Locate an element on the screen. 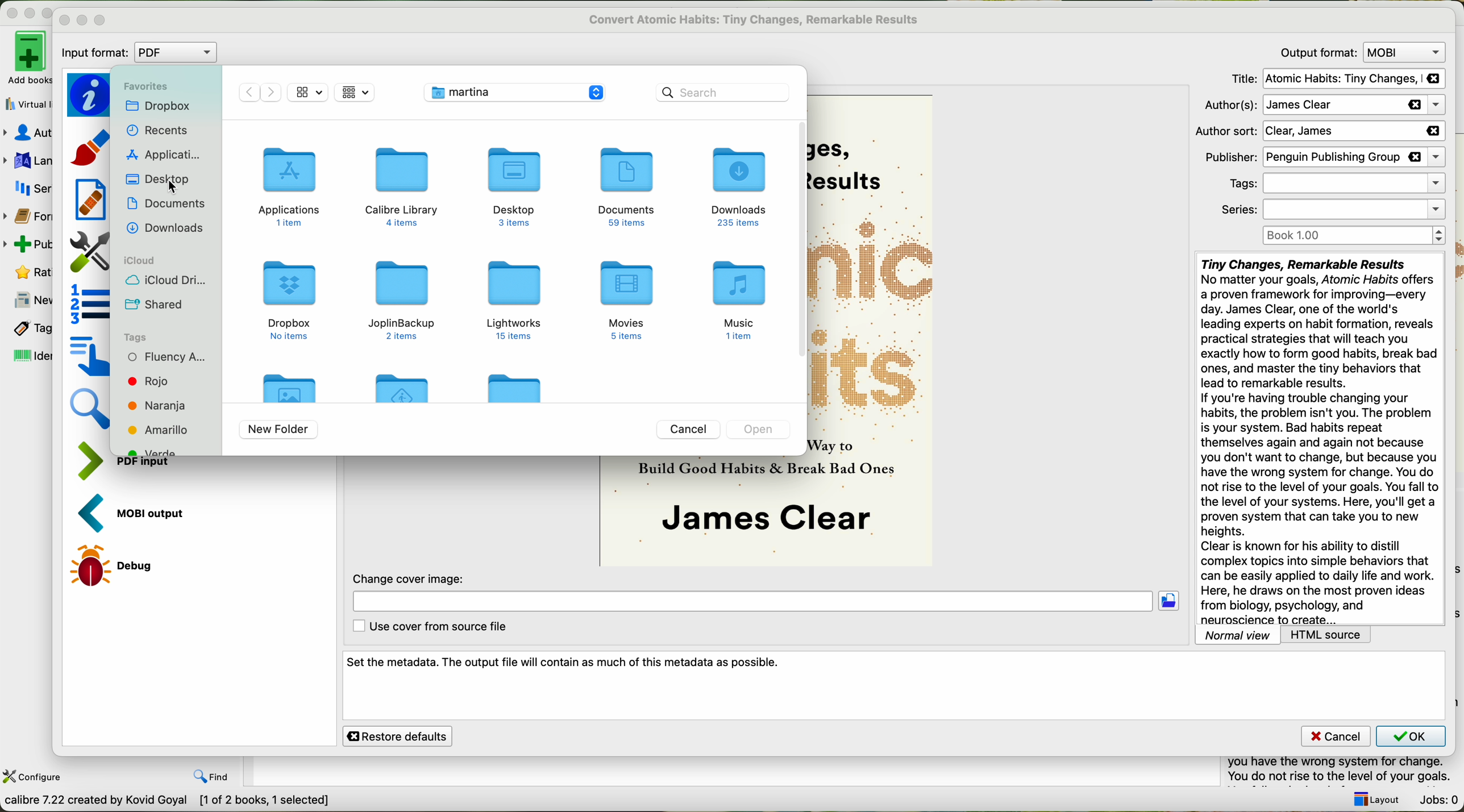 This screenshot has width=1464, height=812. music is located at coordinates (741, 300).